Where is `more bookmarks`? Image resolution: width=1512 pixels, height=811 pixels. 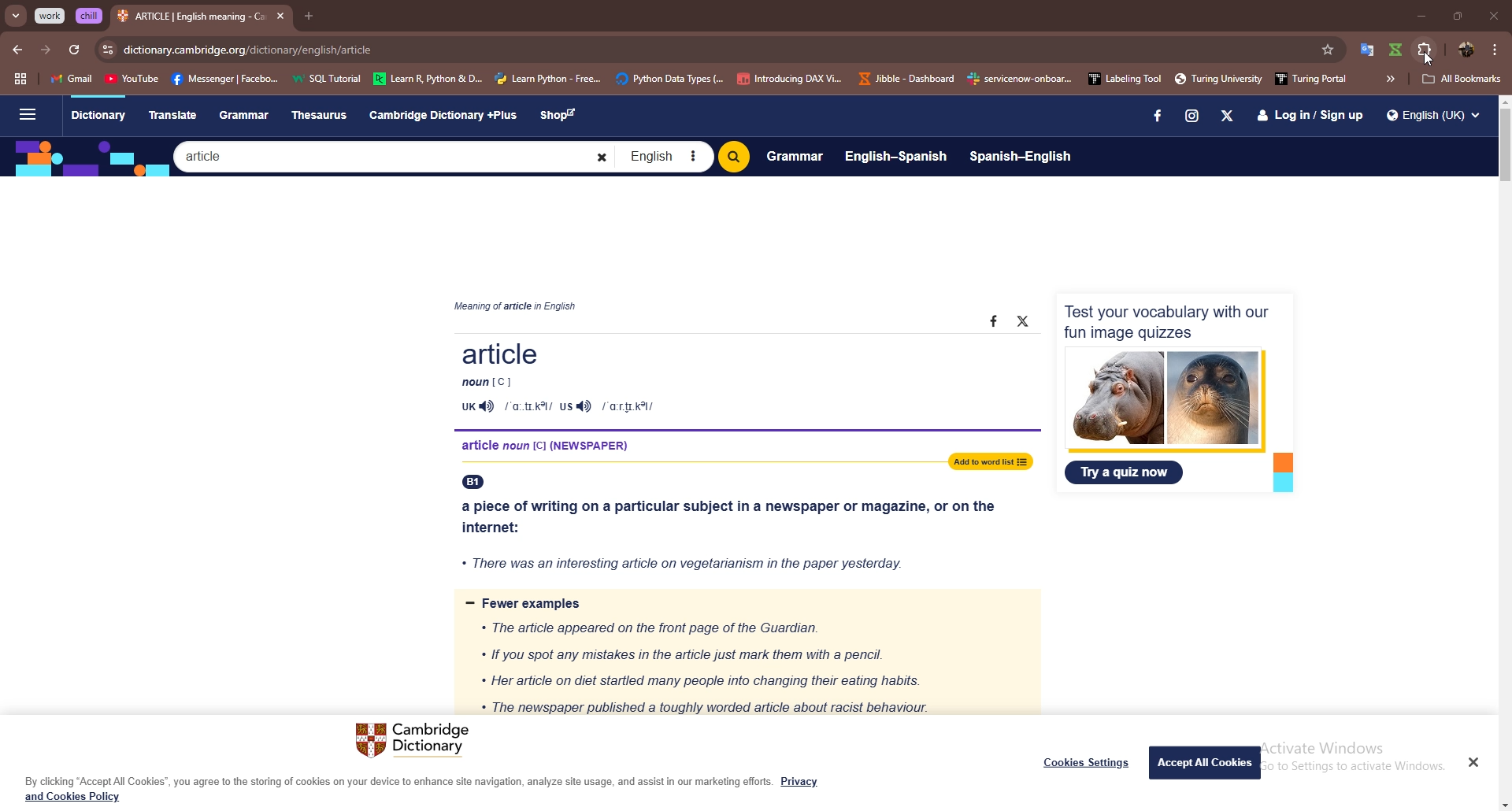
more bookmarks is located at coordinates (1389, 79).